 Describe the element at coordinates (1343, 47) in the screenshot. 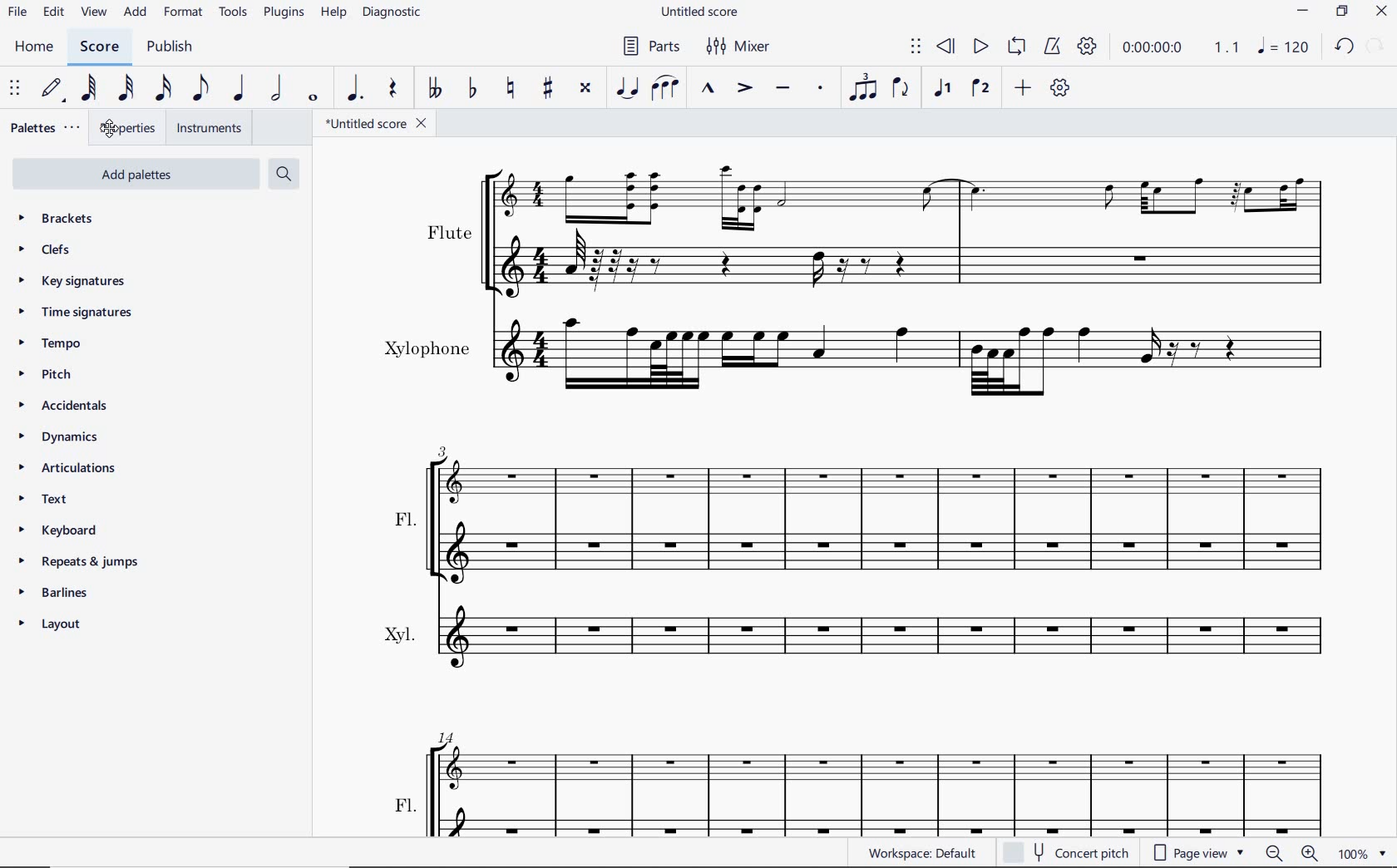

I see `UNDO` at that location.